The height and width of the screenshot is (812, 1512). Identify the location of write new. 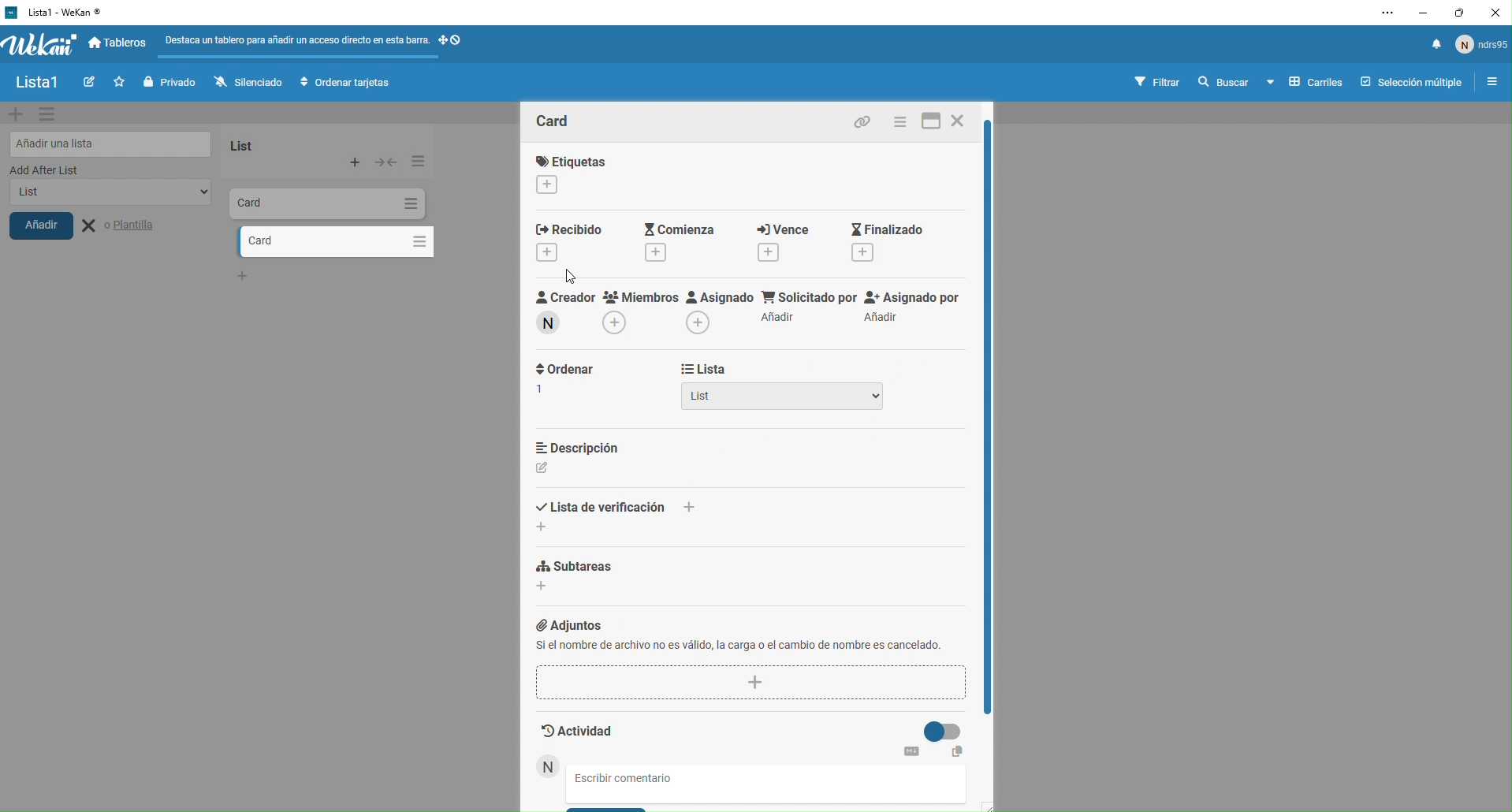
(87, 84).